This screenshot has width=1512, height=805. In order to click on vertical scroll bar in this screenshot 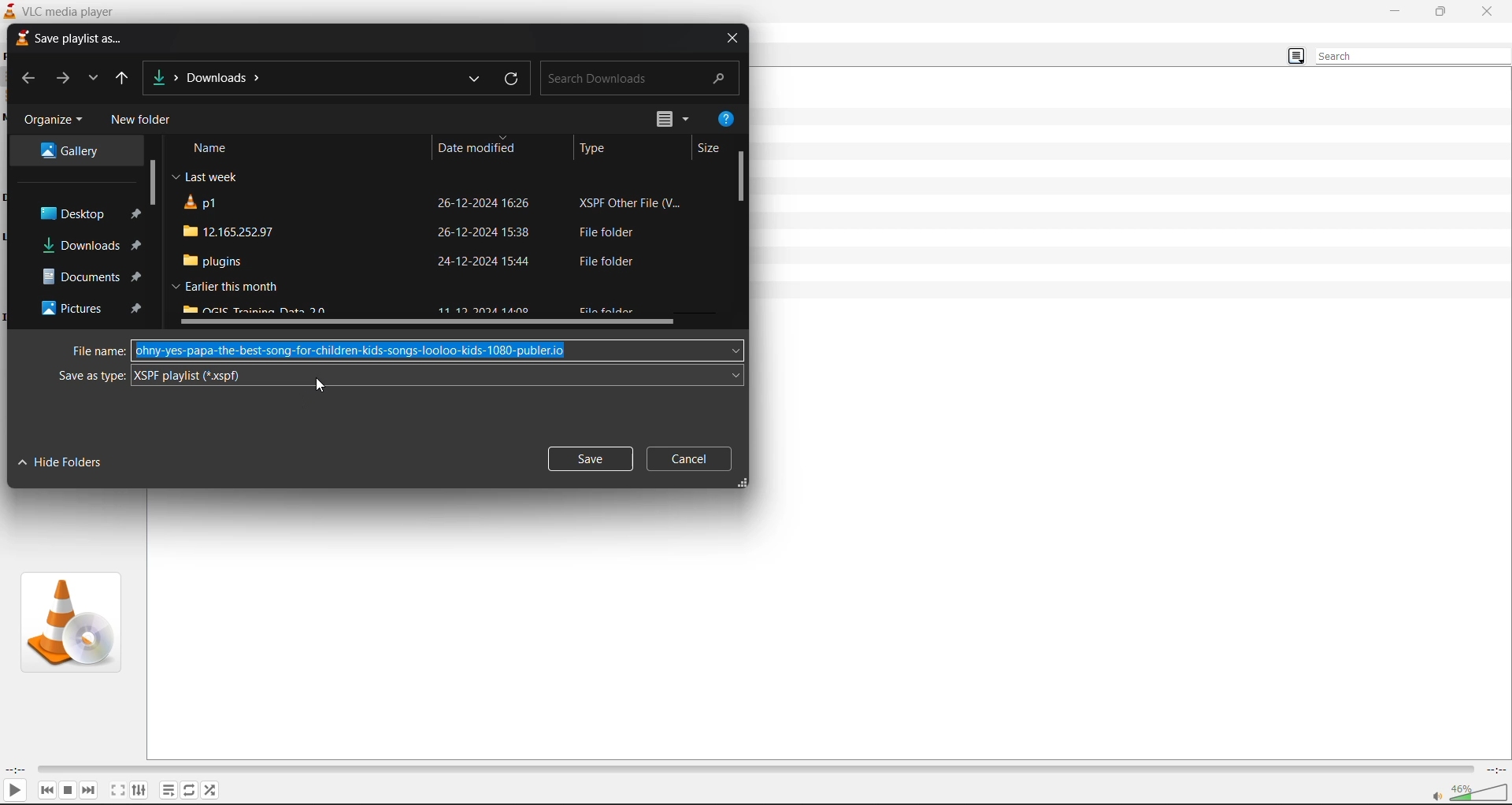, I will do `click(152, 183)`.